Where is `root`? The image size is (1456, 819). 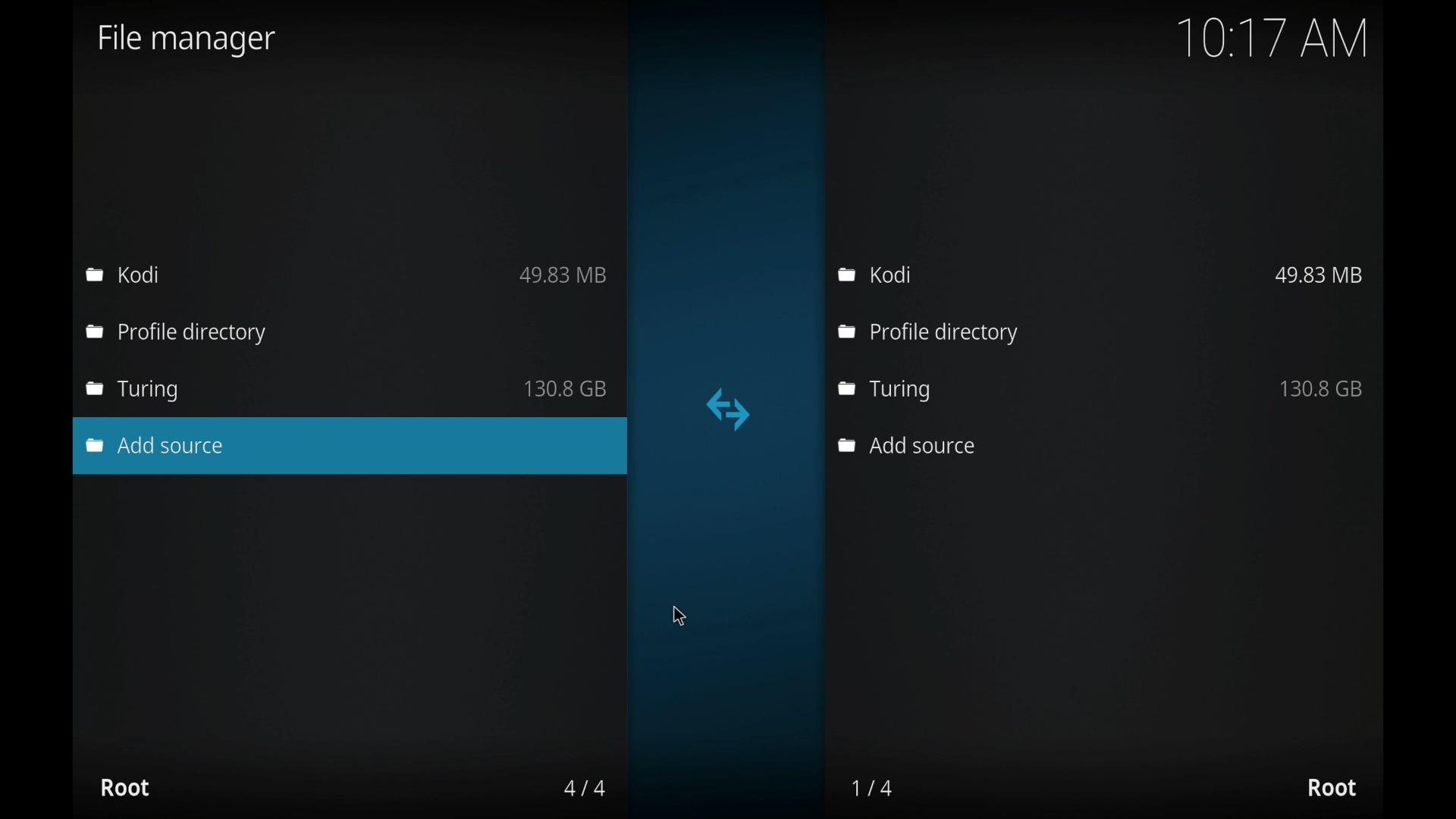 root is located at coordinates (1332, 788).